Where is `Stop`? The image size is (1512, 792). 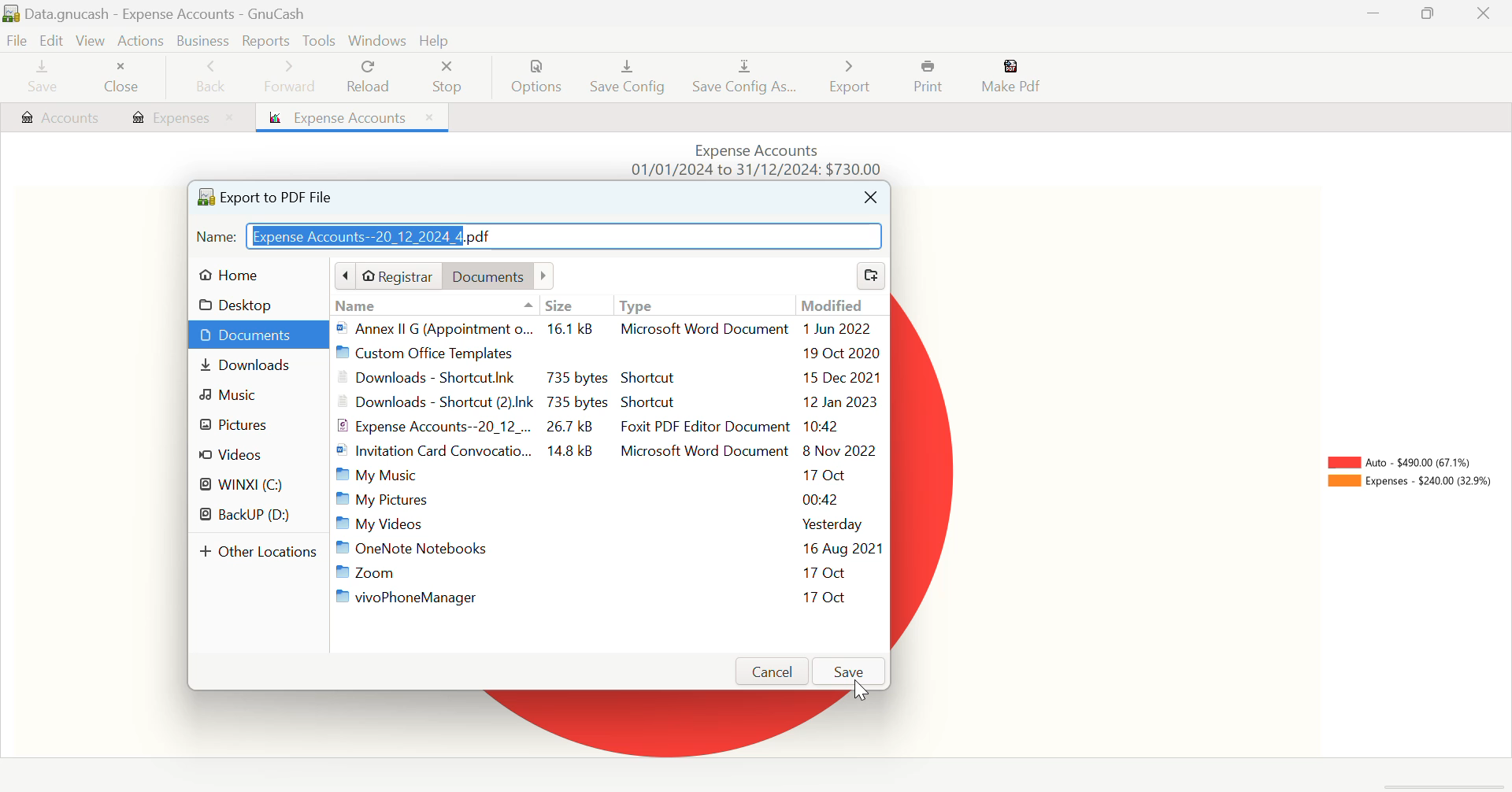 Stop is located at coordinates (452, 79).